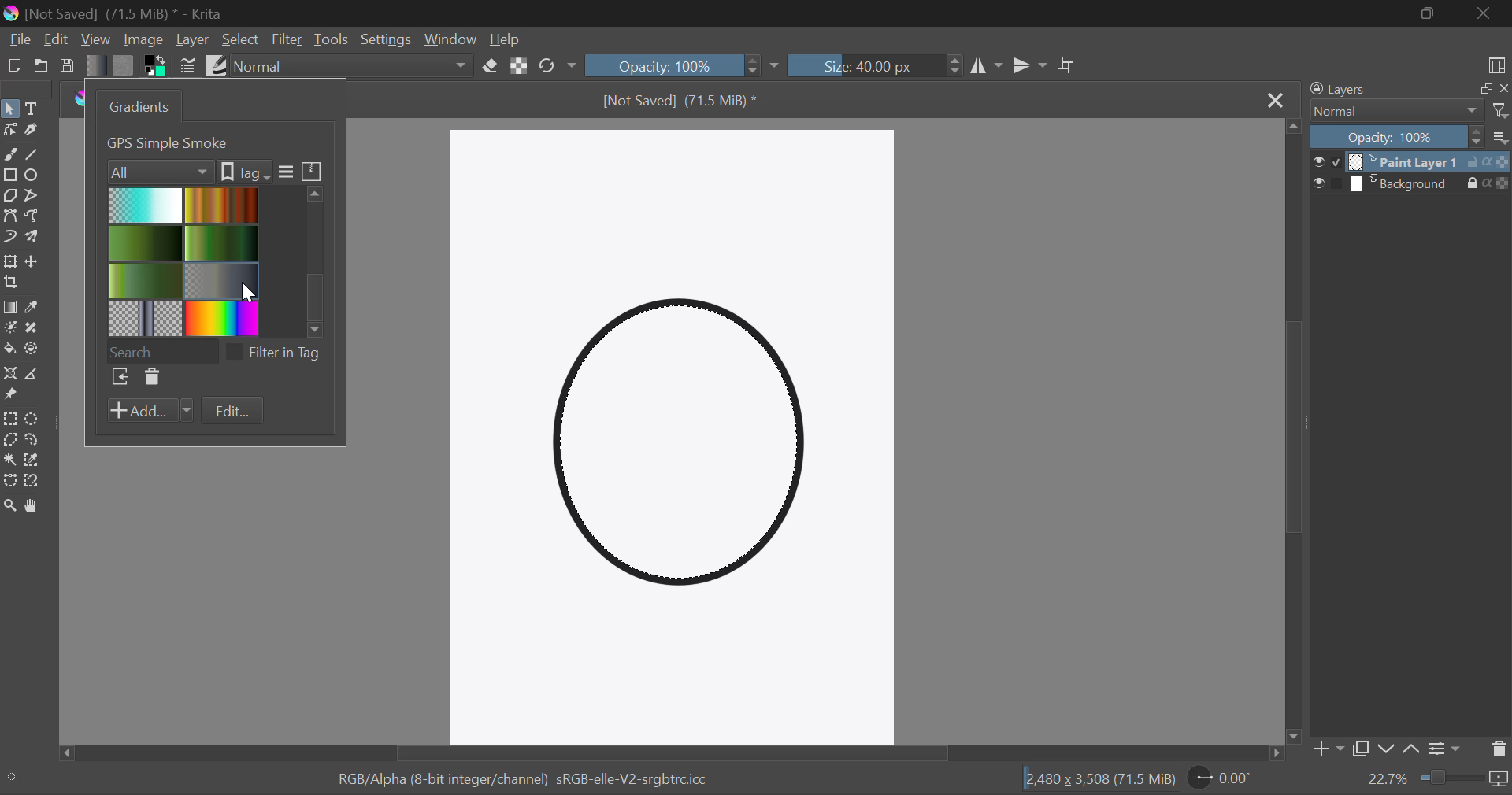 This screenshot has height=795, width=1512. What do you see at coordinates (156, 67) in the screenshot?
I see `Colors in use` at bounding box center [156, 67].